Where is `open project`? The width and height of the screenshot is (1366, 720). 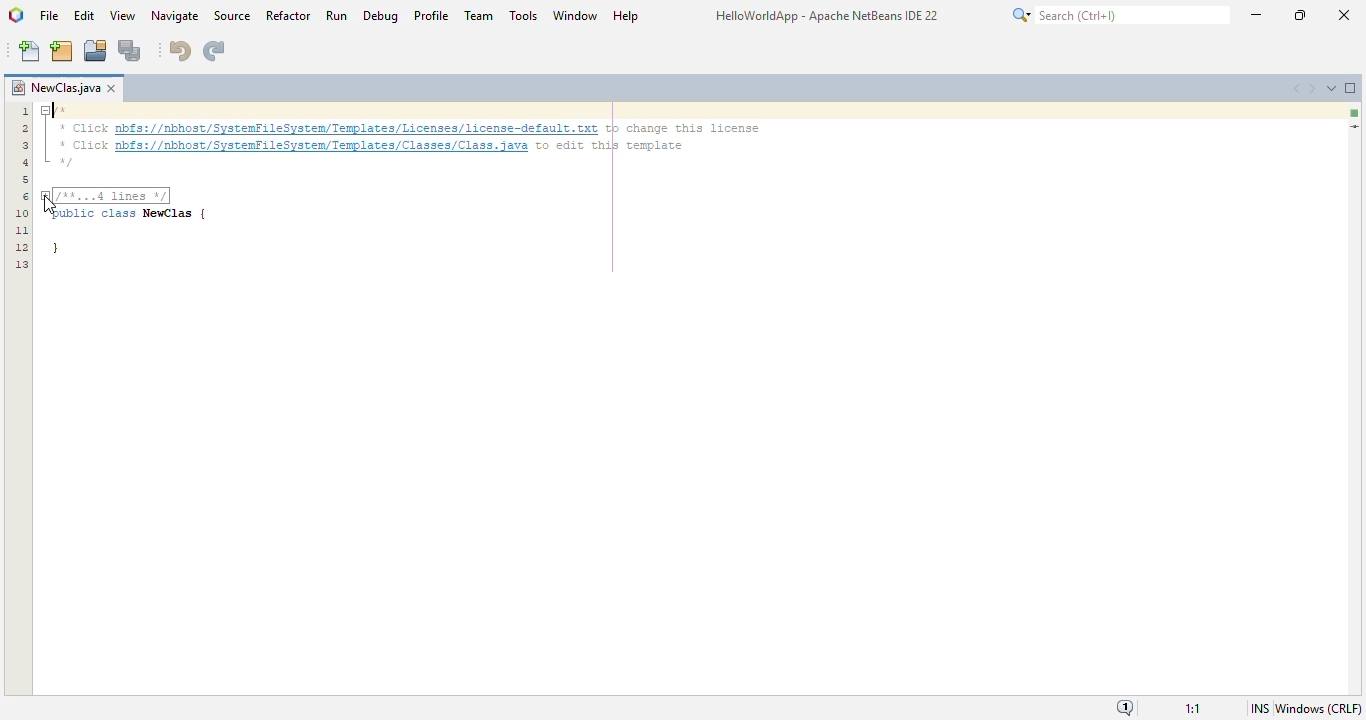
open project is located at coordinates (95, 49).